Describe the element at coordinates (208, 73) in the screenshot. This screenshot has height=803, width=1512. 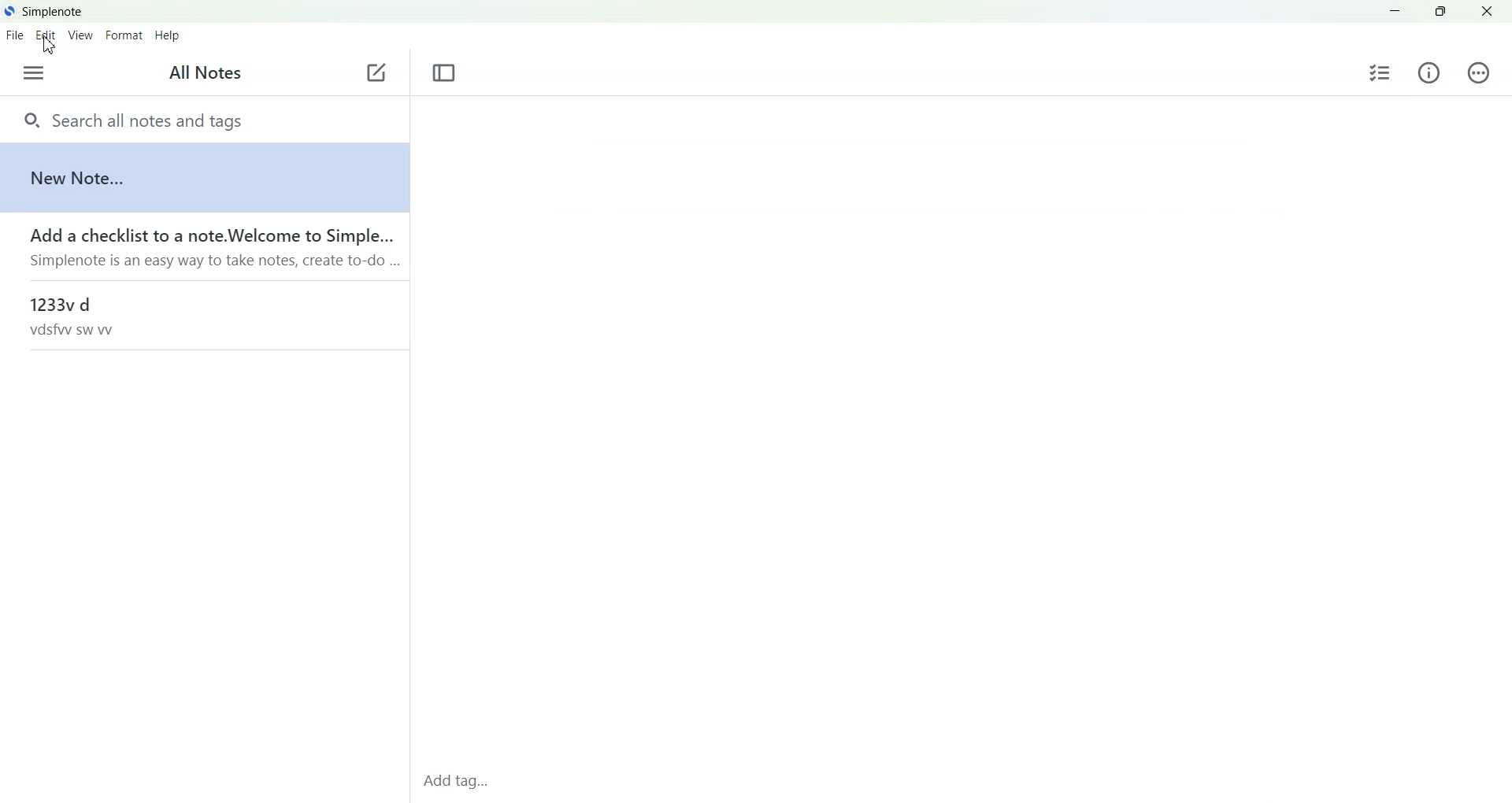
I see `All Notes` at that location.